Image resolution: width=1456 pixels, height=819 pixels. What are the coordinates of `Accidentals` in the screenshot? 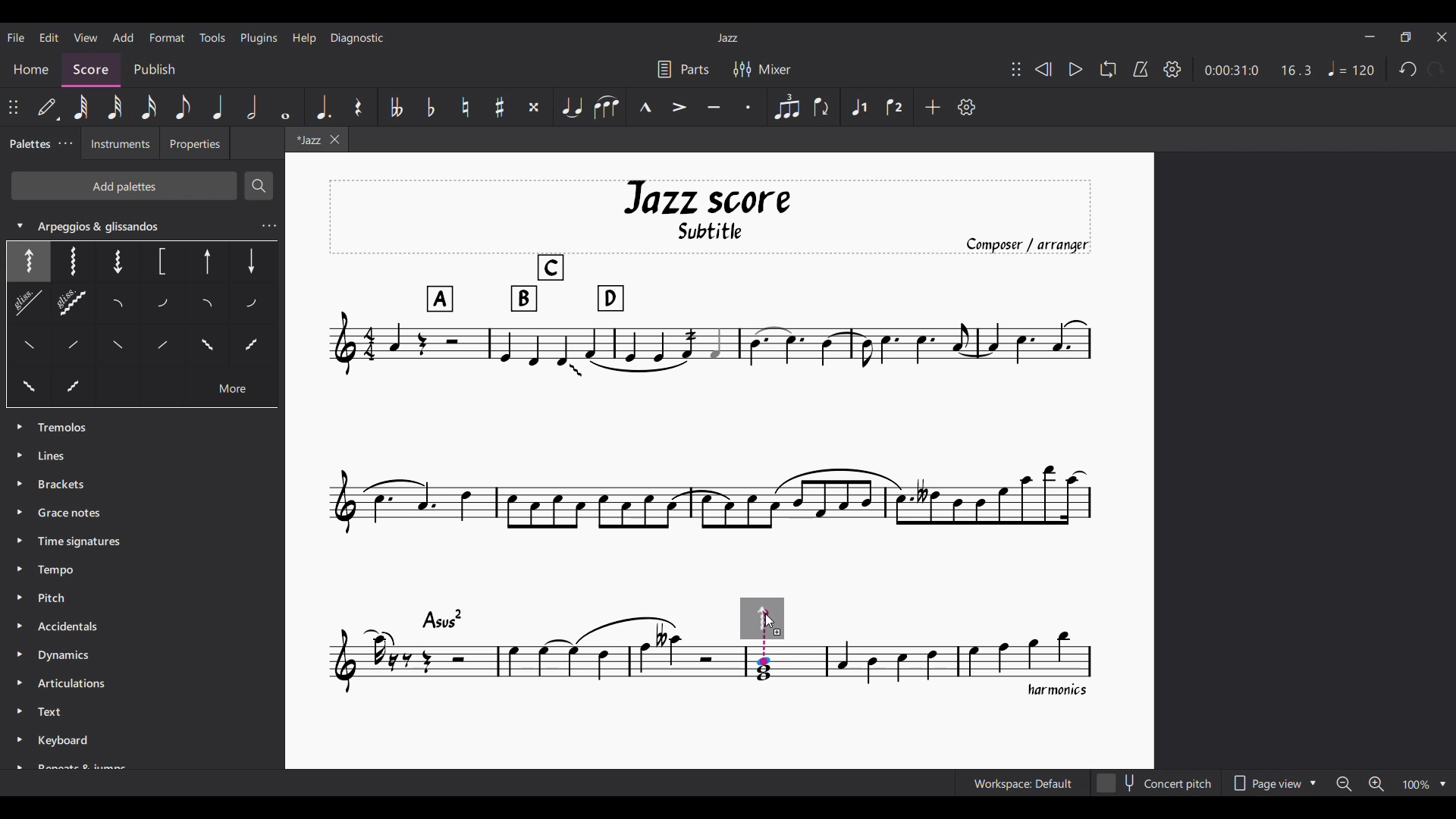 It's located at (67, 629).